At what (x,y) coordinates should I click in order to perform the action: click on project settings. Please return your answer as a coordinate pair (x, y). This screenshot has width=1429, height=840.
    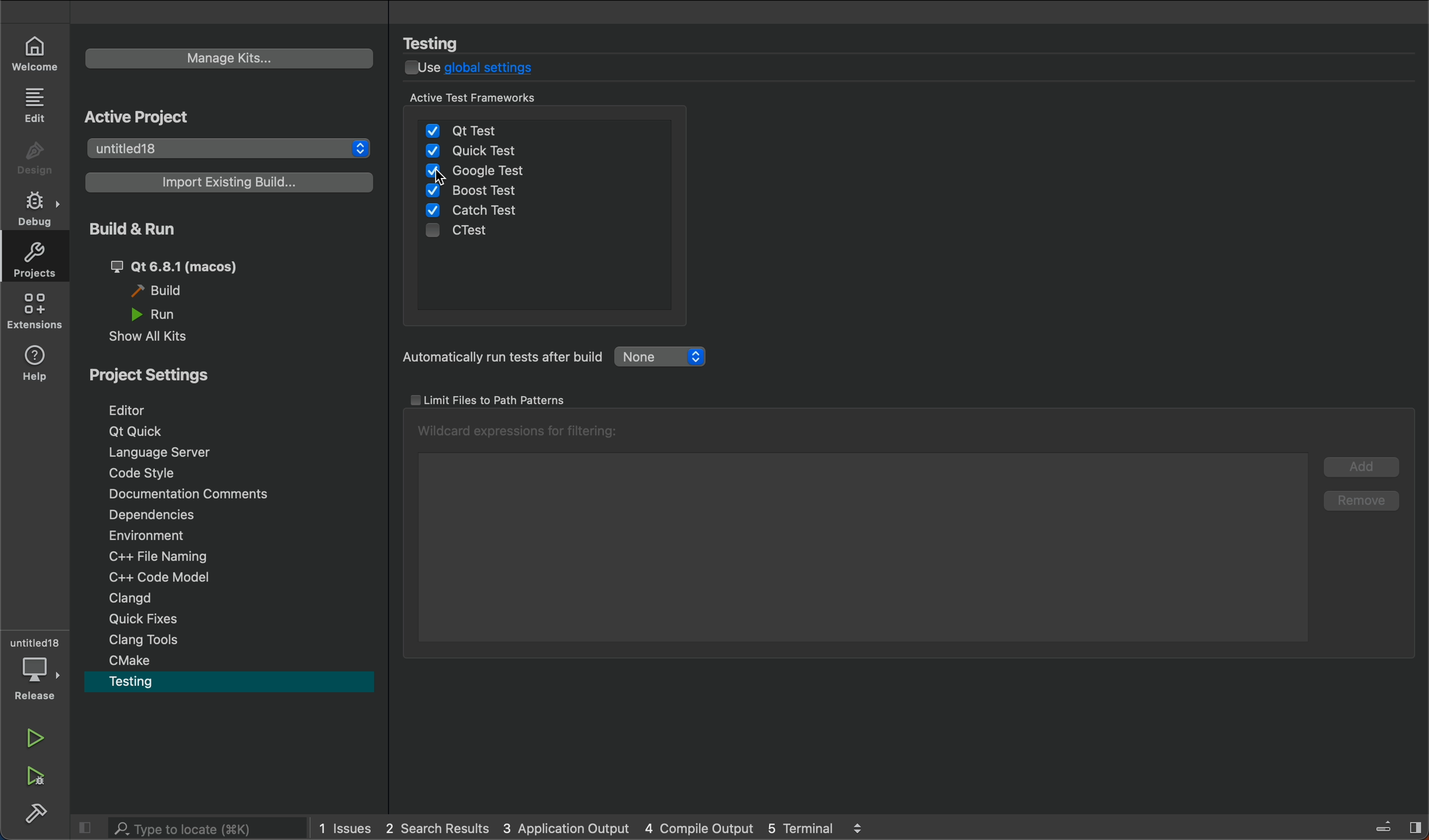
    Looking at the image, I should click on (166, 376).